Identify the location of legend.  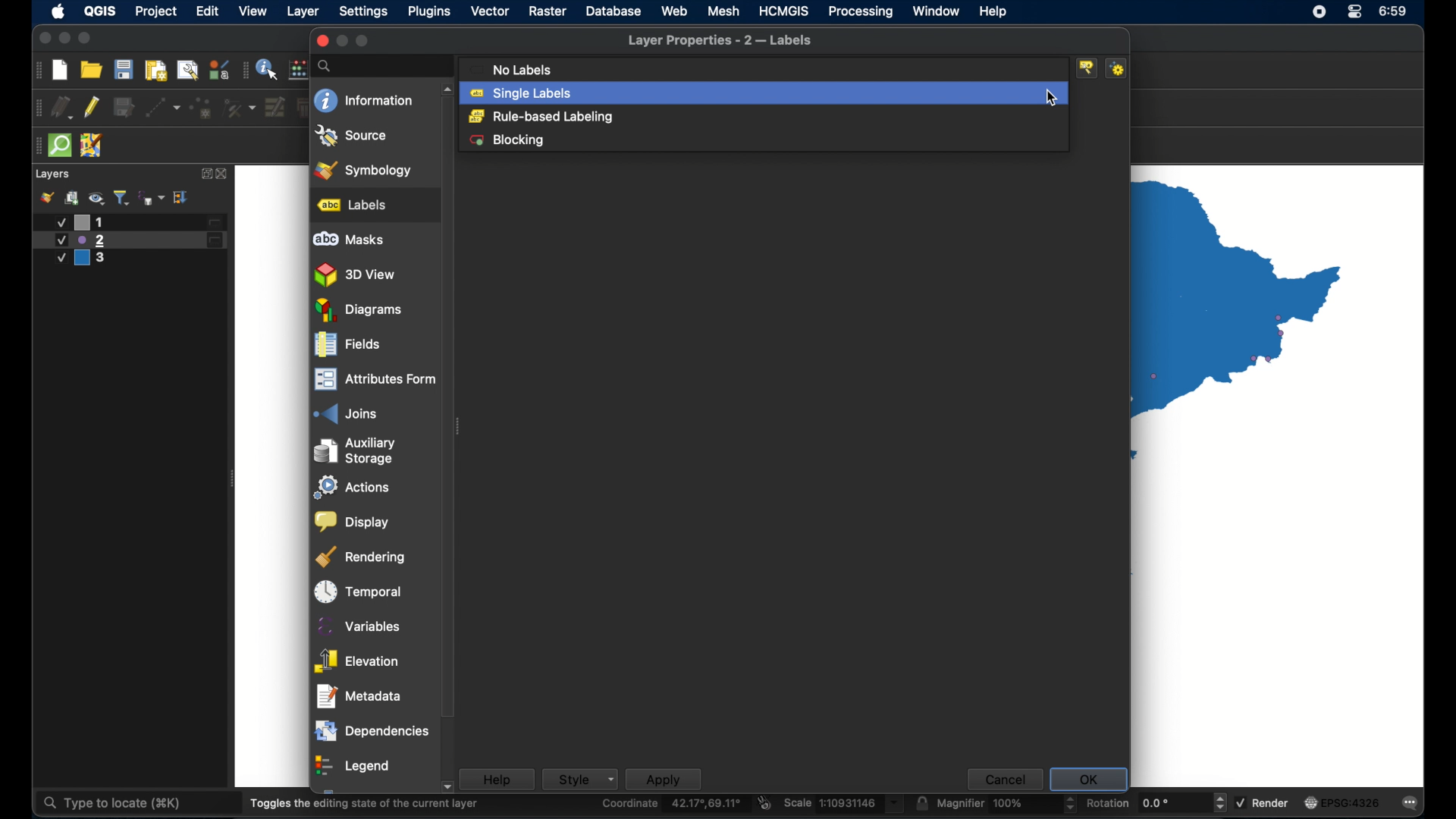
(354, 767).